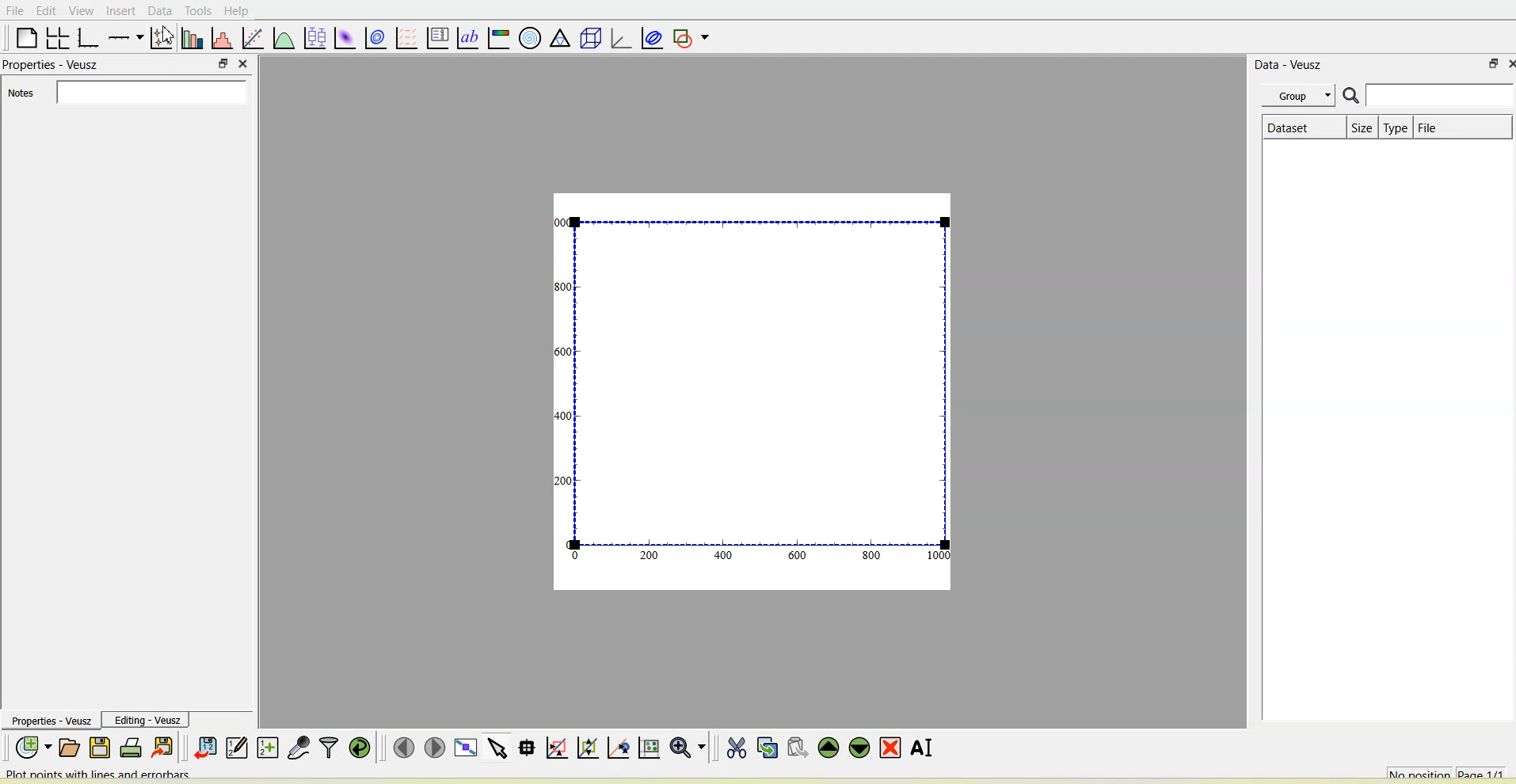 This screenshot has width=1516, height=784. Describe the element at coordinates (1431, 127) in the screenshot. I see `File` at that location.